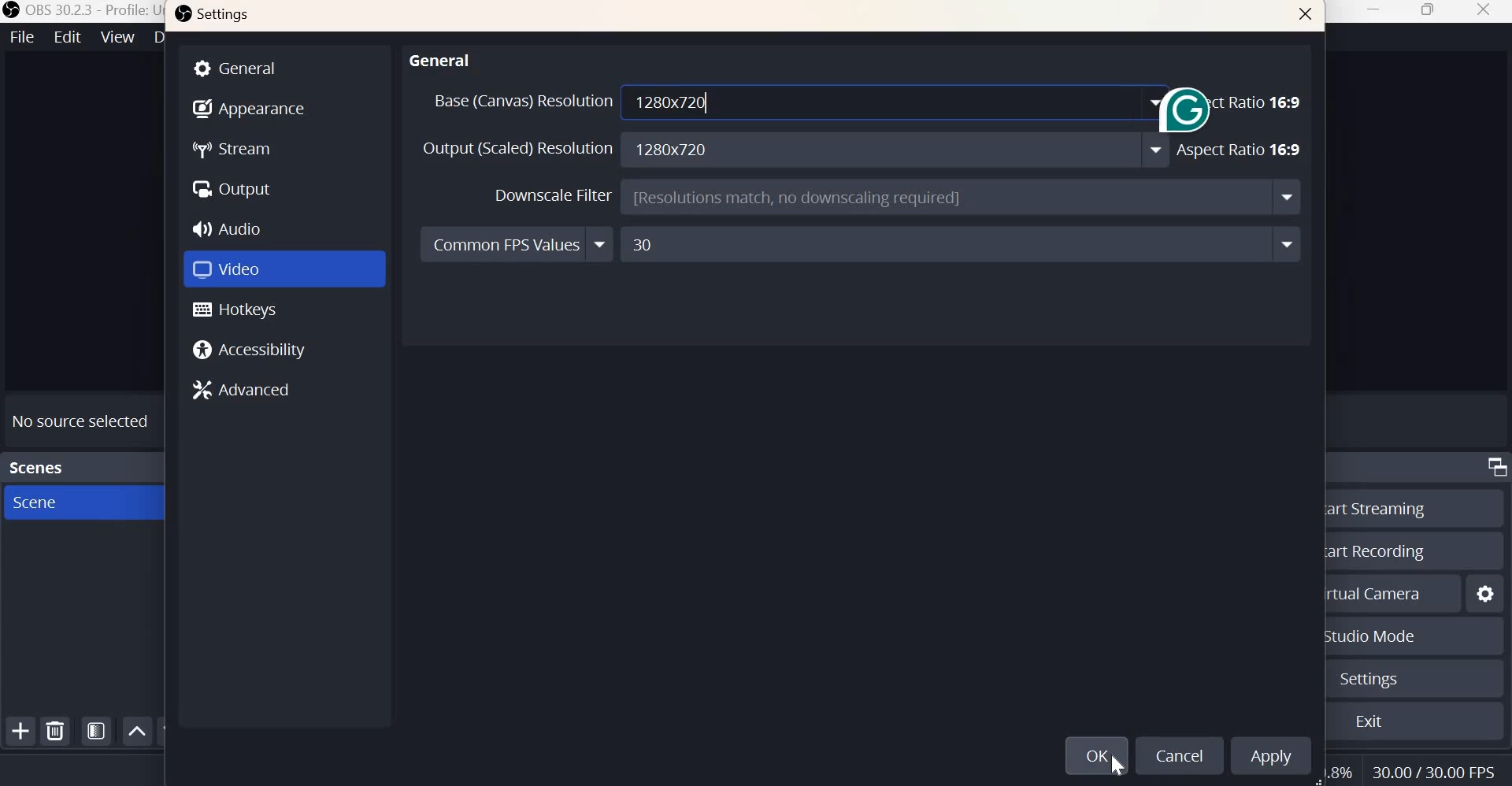  What do you see at coordinates (37, 465) in the screenshot?
I see `Scenes` at bounding box center [37, 465].